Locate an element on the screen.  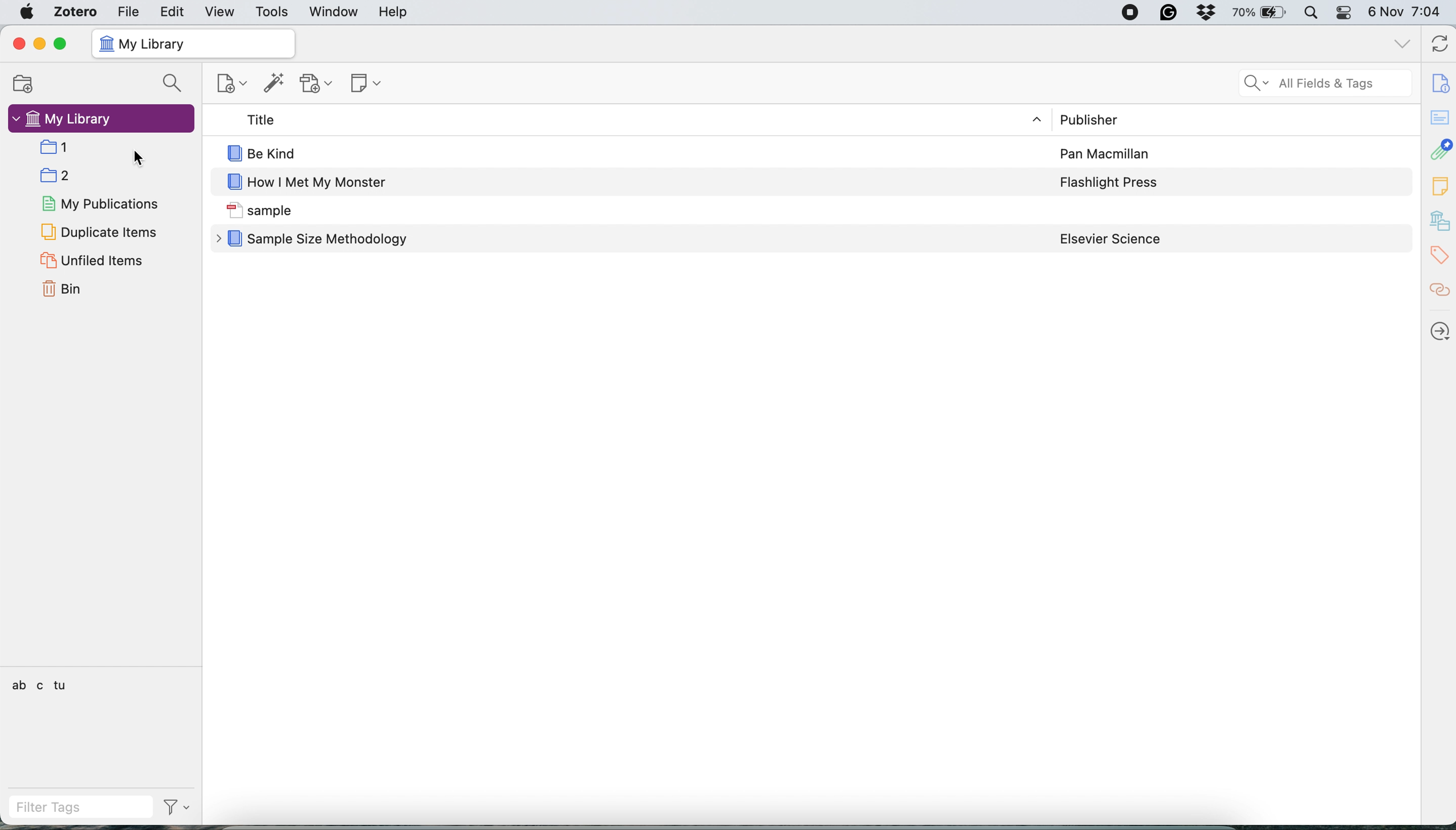
related is located at coordinates (1439, 293).